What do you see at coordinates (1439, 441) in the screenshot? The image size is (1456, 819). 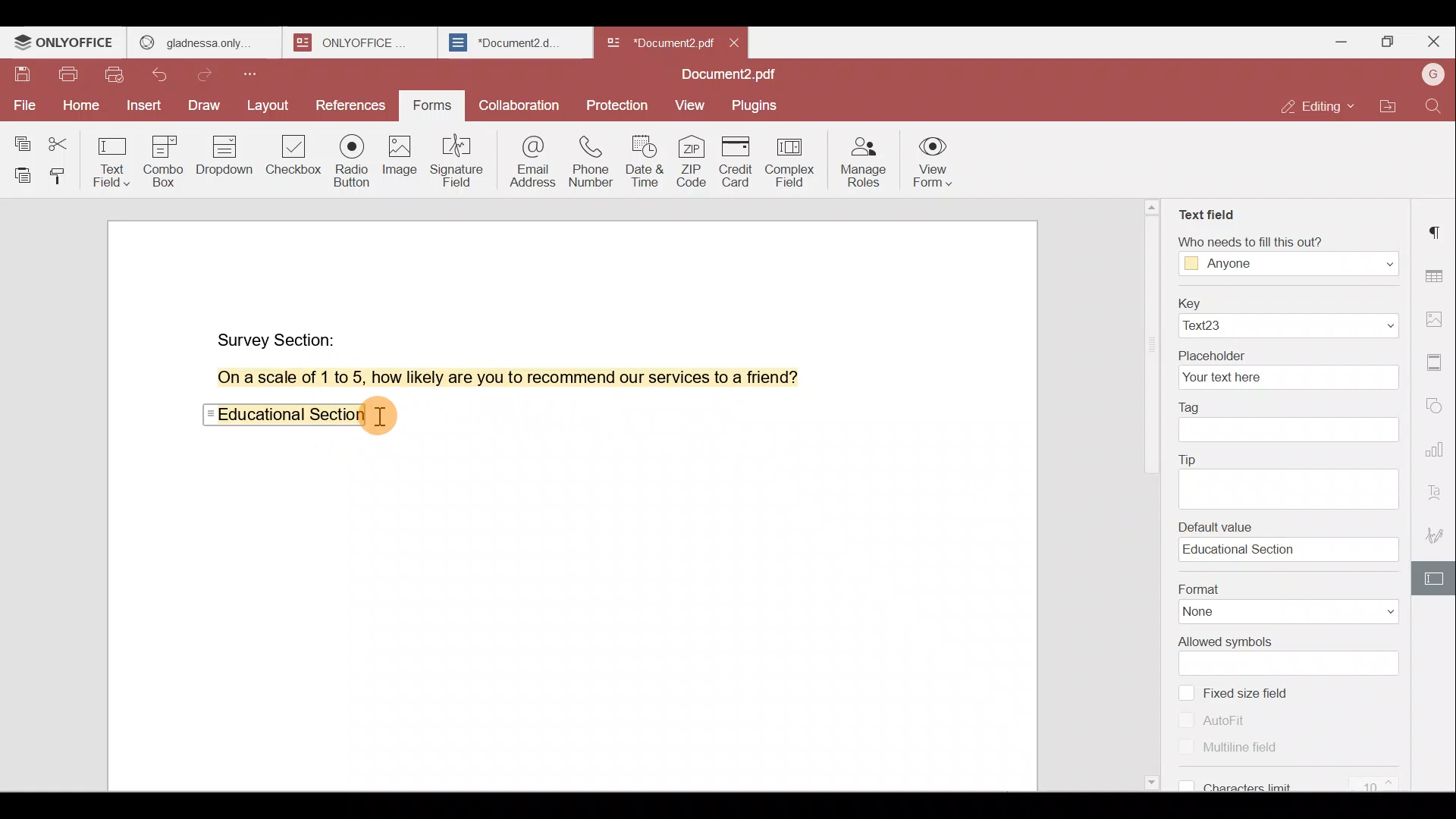 I see `Chart settings` at bounding box center [1439, 441].